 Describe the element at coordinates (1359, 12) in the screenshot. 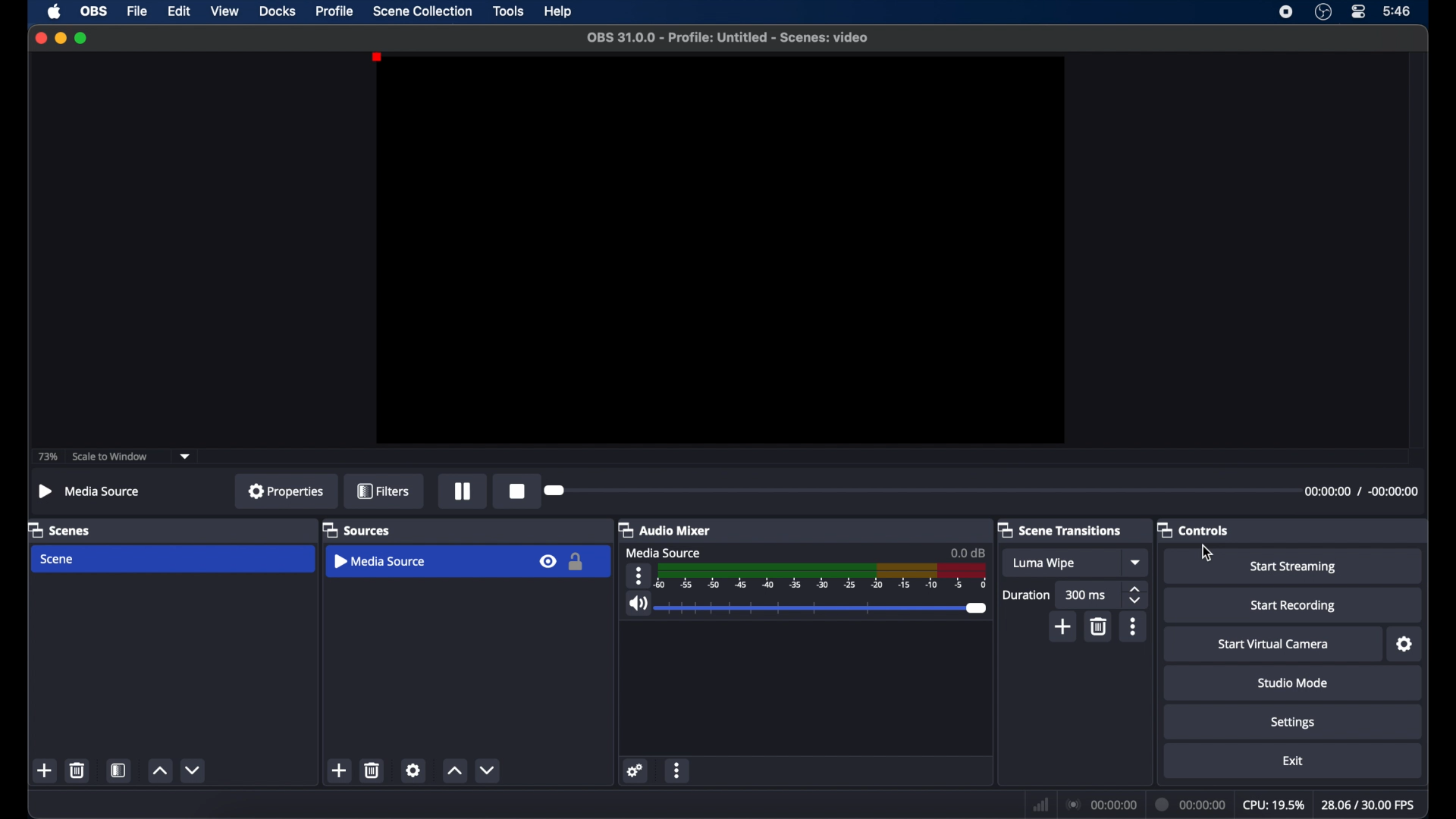

I see `control center` at that location.